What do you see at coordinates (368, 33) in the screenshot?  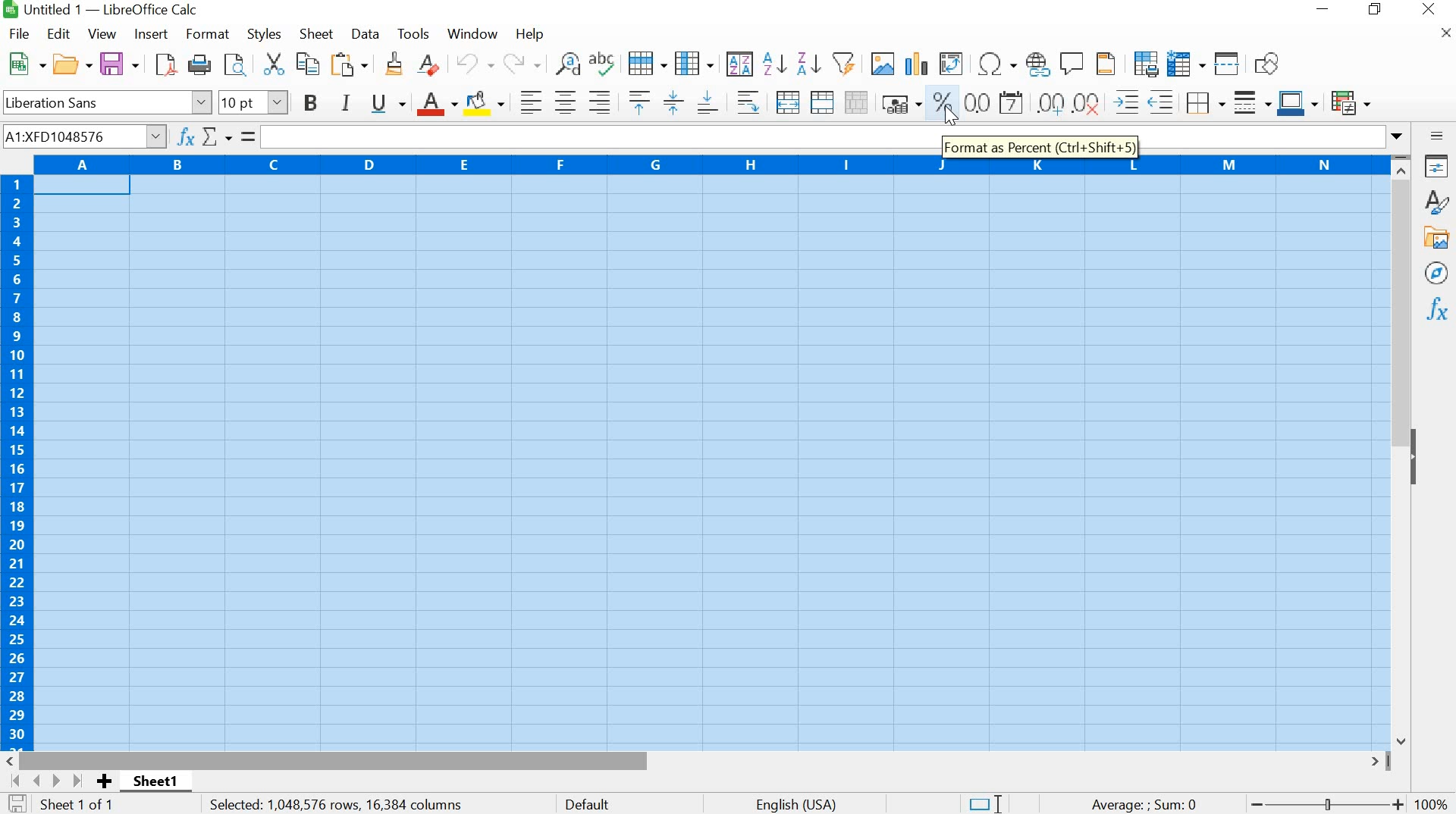 I see `DATA` at bounding box center [368, 33].